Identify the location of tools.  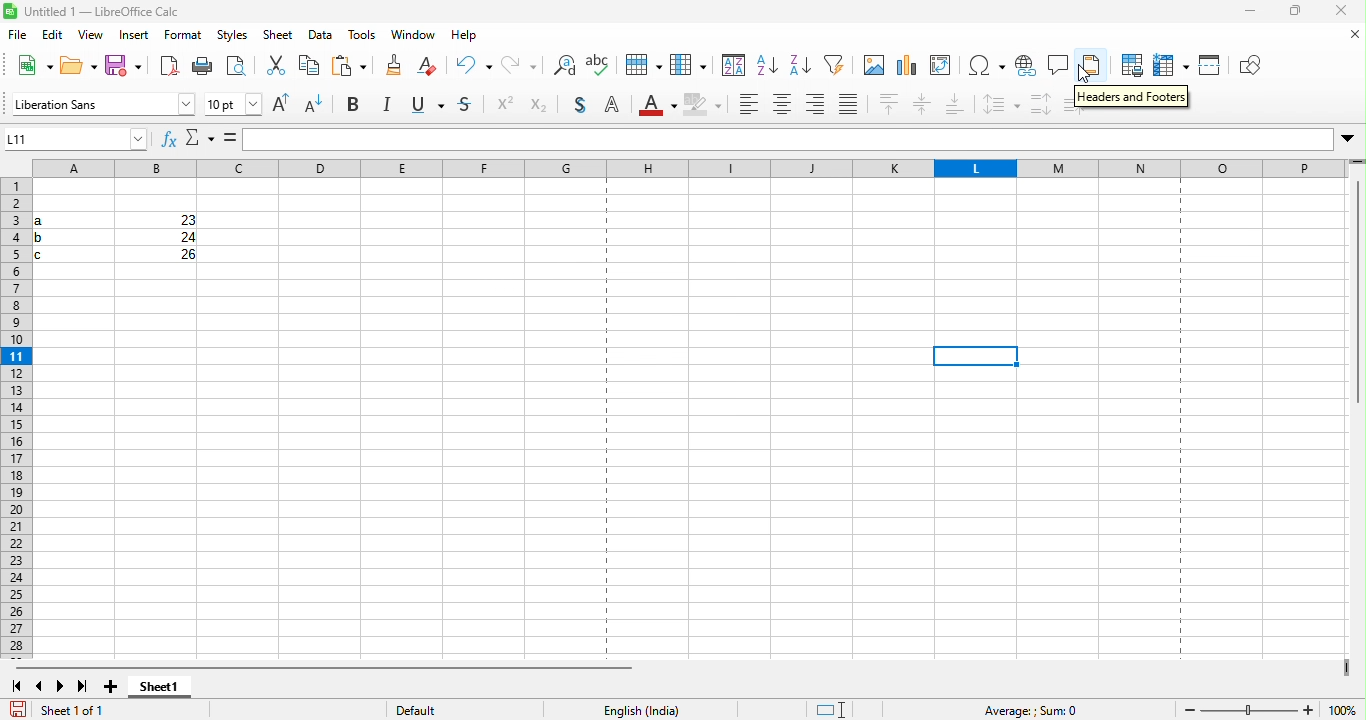
(360, 38).